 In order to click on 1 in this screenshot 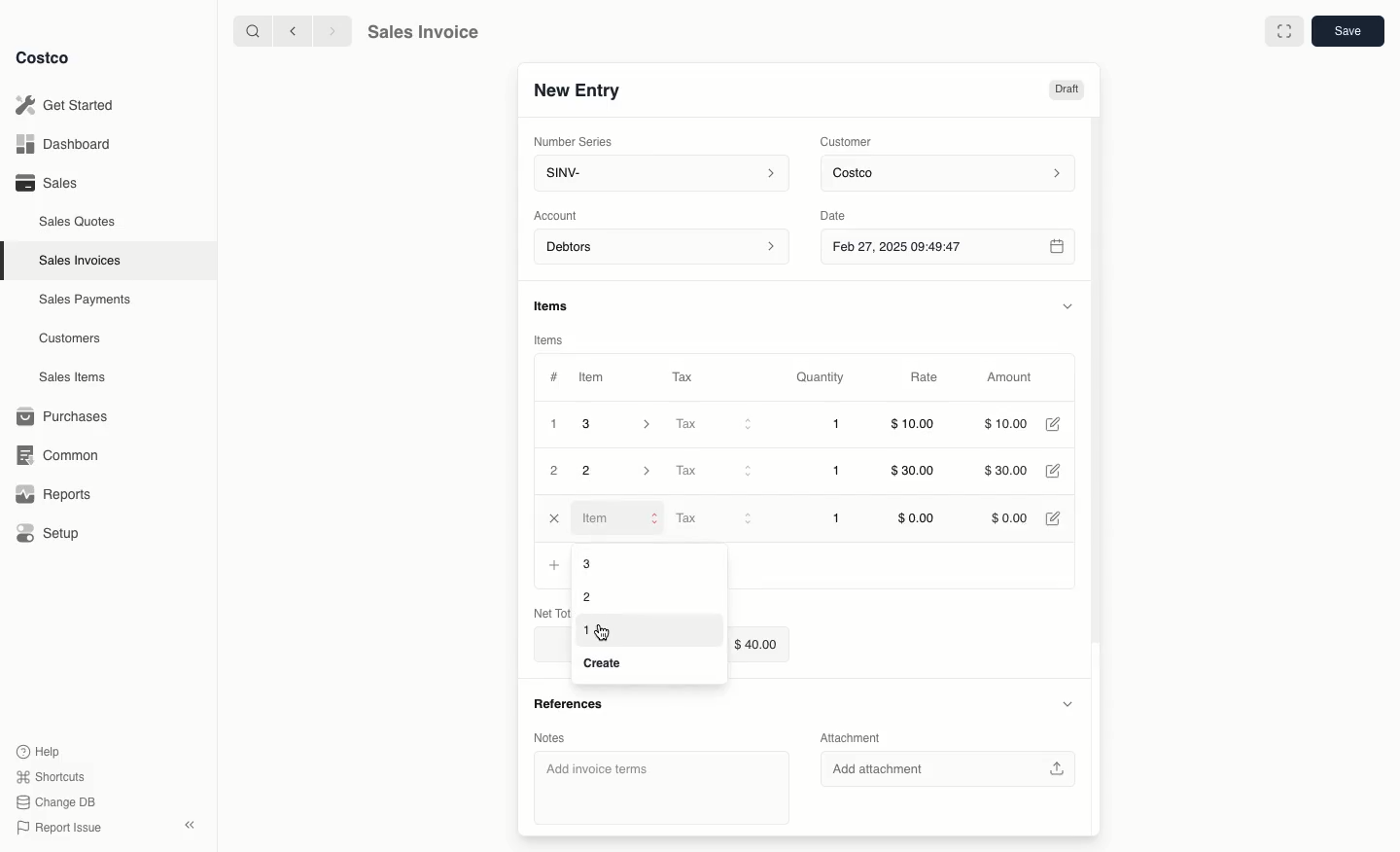, I will do `click(836, 518)`.